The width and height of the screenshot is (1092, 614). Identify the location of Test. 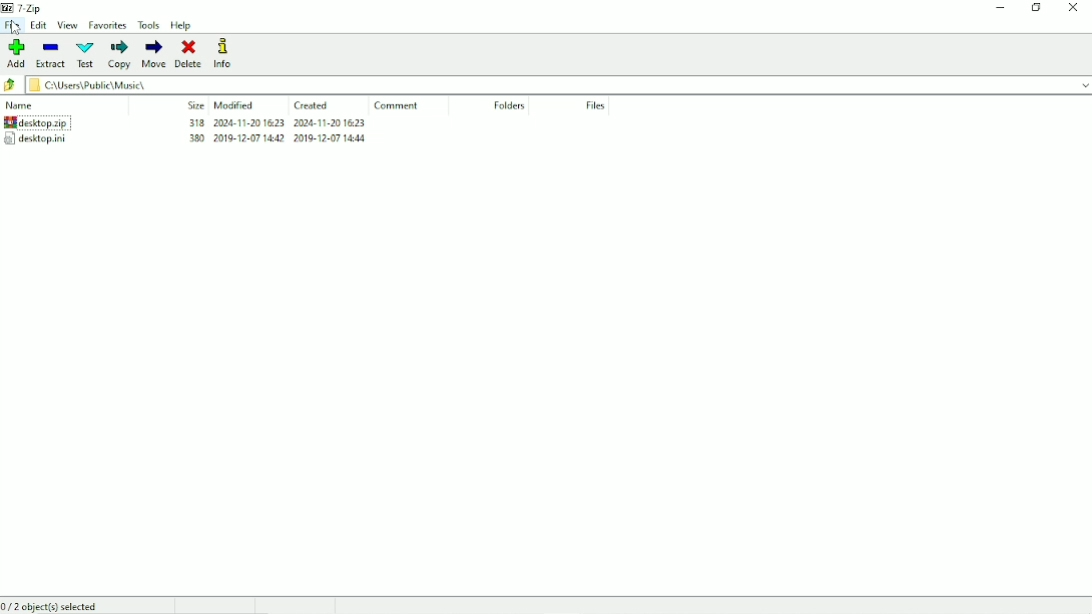
(84, 54).